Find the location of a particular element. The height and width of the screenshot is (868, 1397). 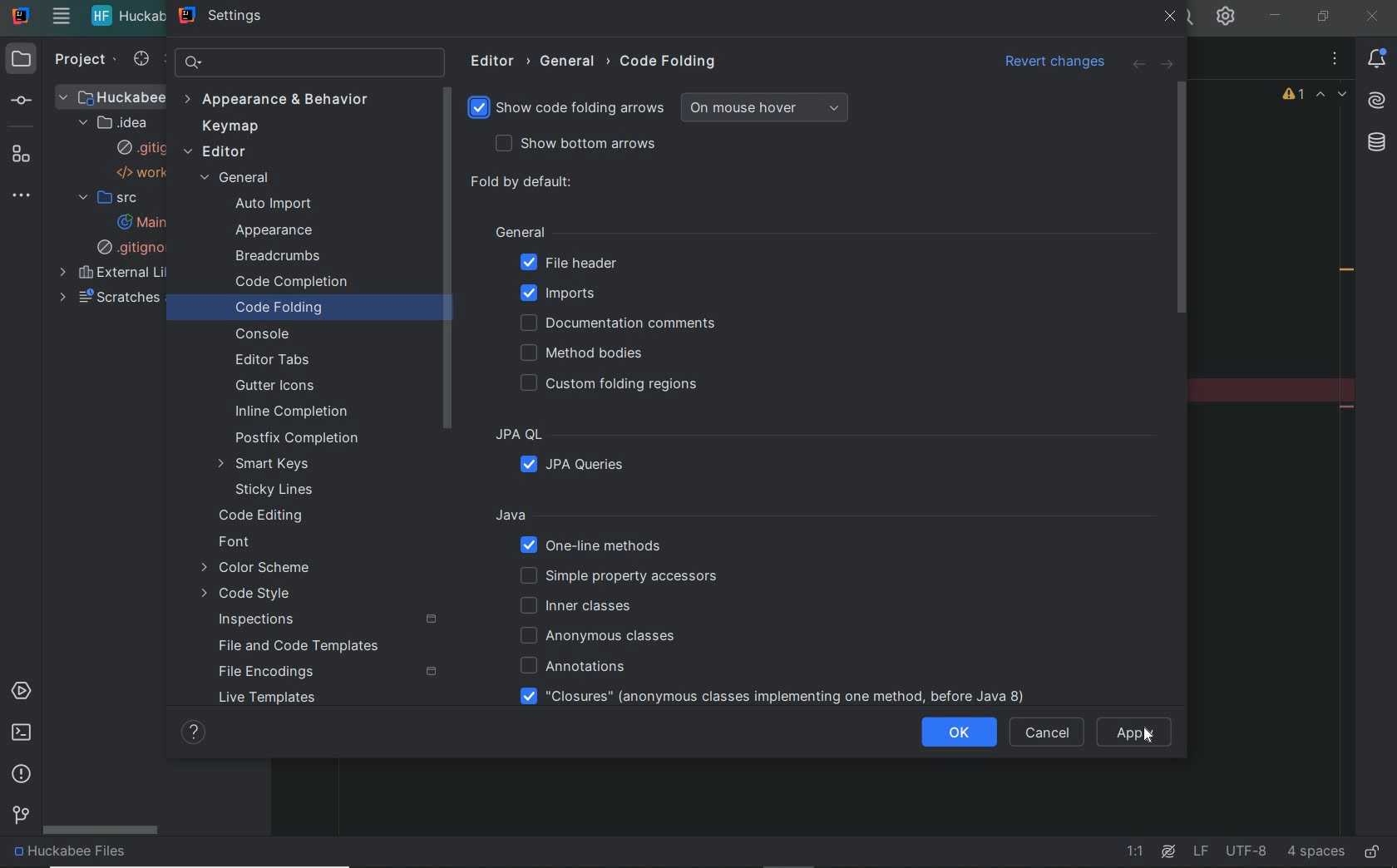

more tool windows is located at coordinates (27, 196).